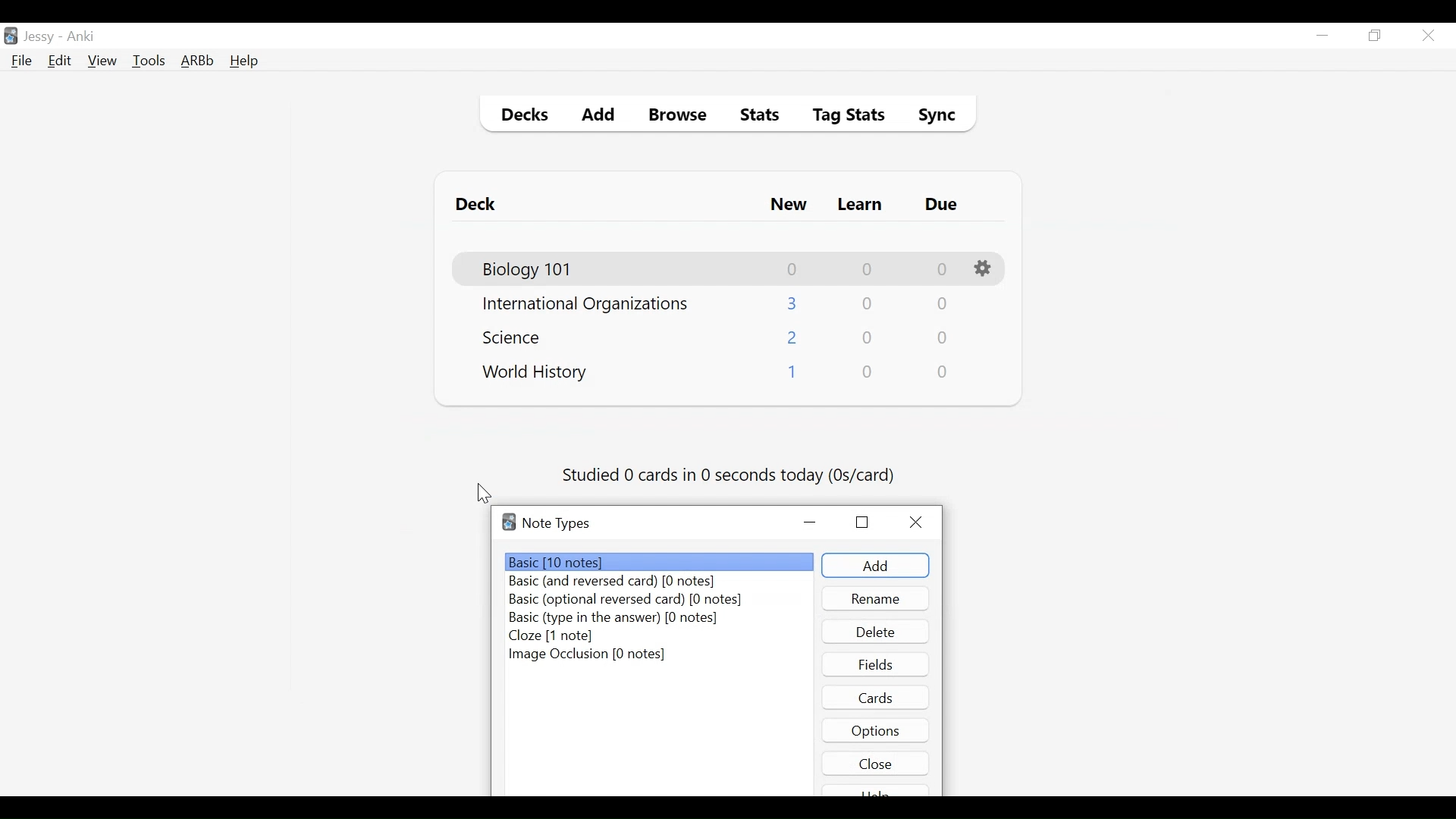  What do you see at coordinates (1322, 36) in the screenshot?
I see `minimize` at bounding box center [1322, 36].